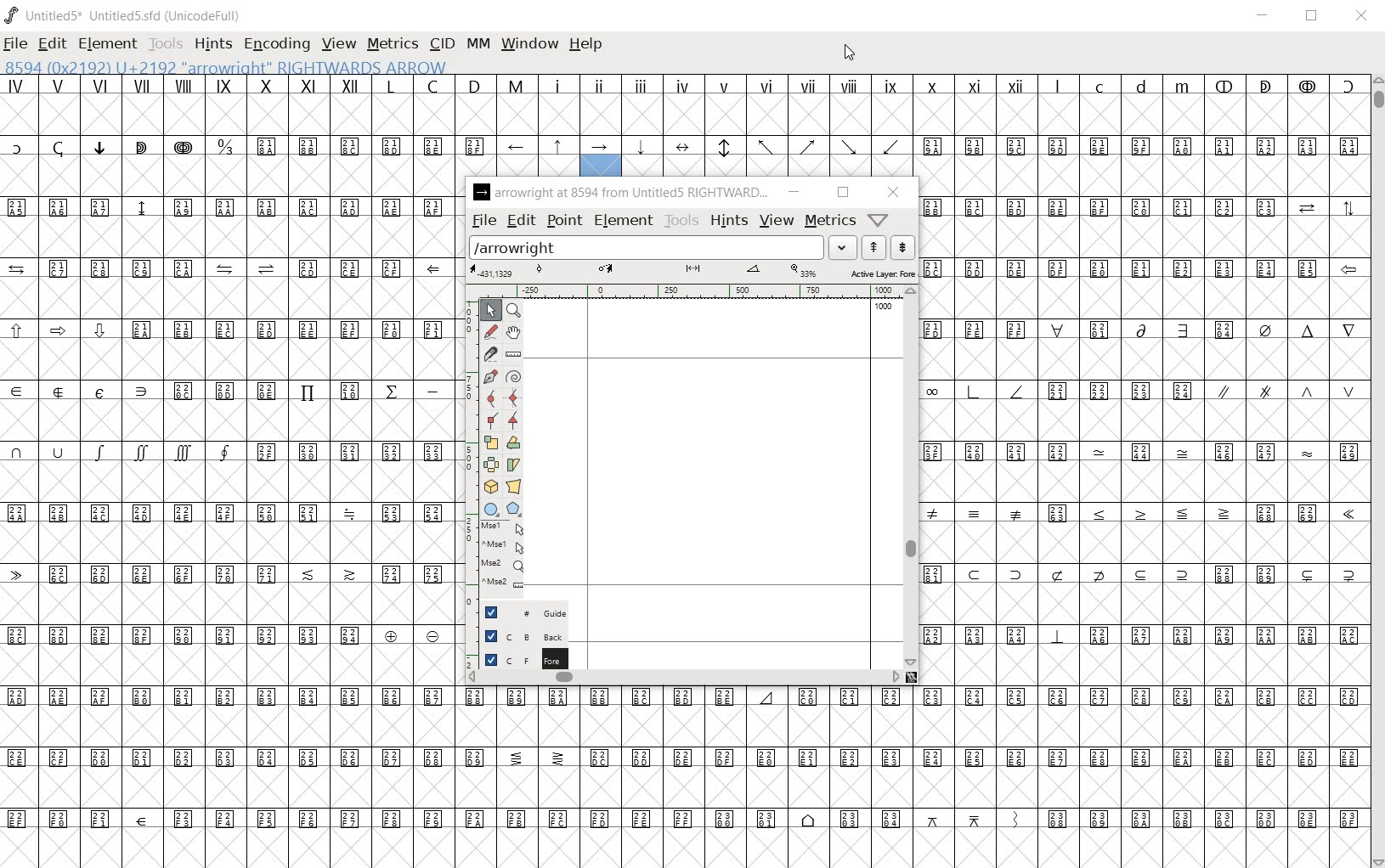  I want to click on pointer, so click(490, 312).